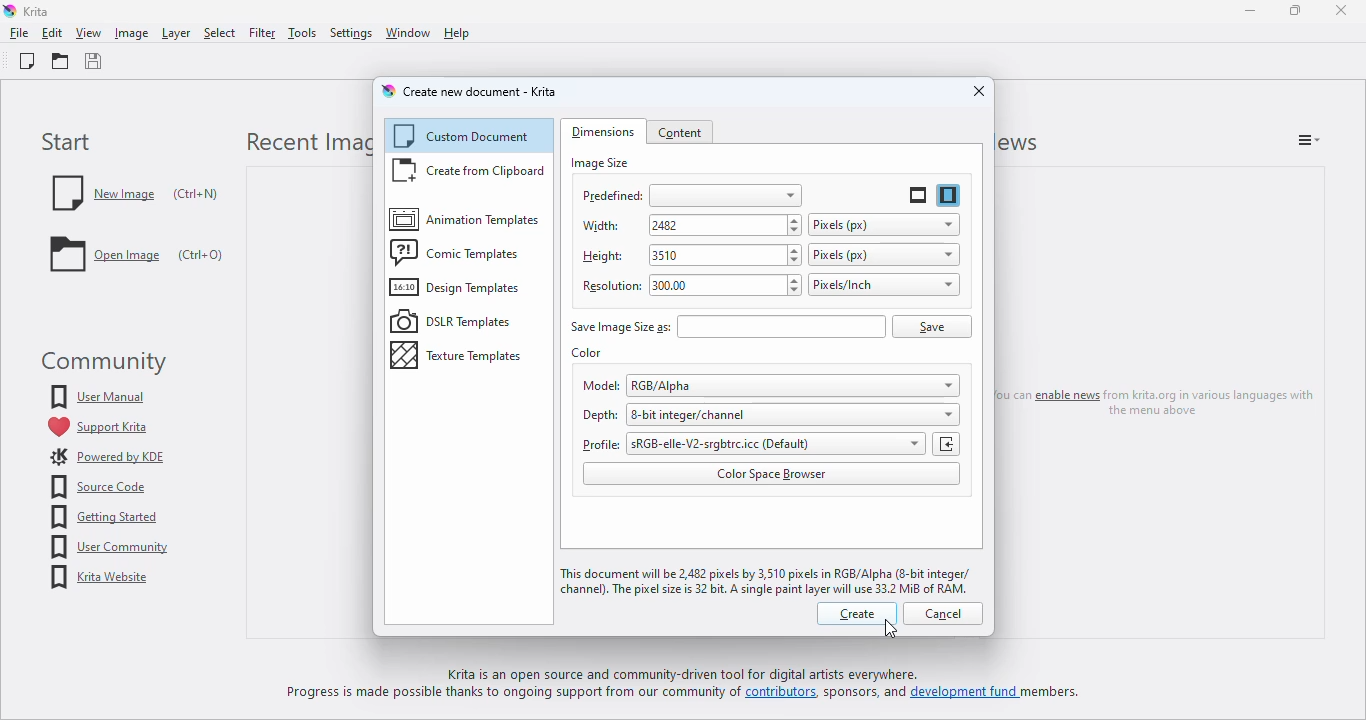 The image size is (1366, 720). I want to click on maximize, so click(1295, 10).